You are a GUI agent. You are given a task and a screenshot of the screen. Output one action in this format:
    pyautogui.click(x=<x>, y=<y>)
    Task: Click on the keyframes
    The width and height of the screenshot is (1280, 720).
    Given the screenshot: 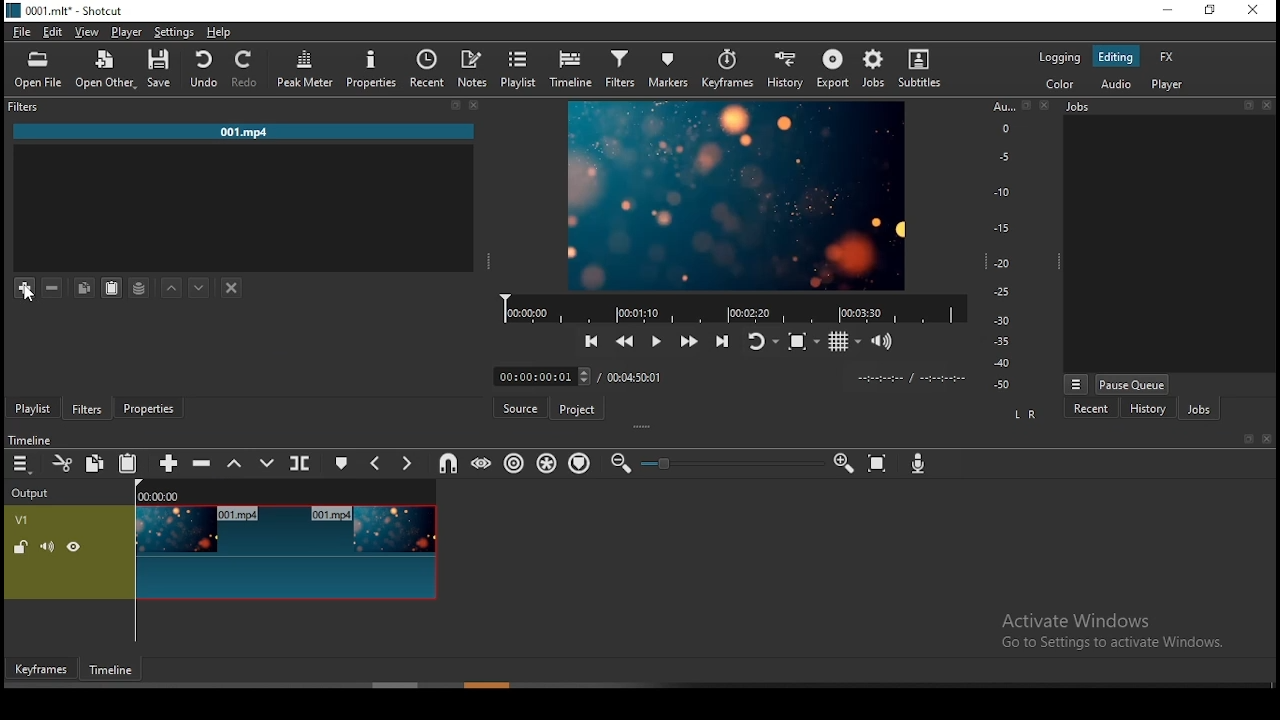 What is the action you would take?
    pyautogui.click(x=727, y=67)
    